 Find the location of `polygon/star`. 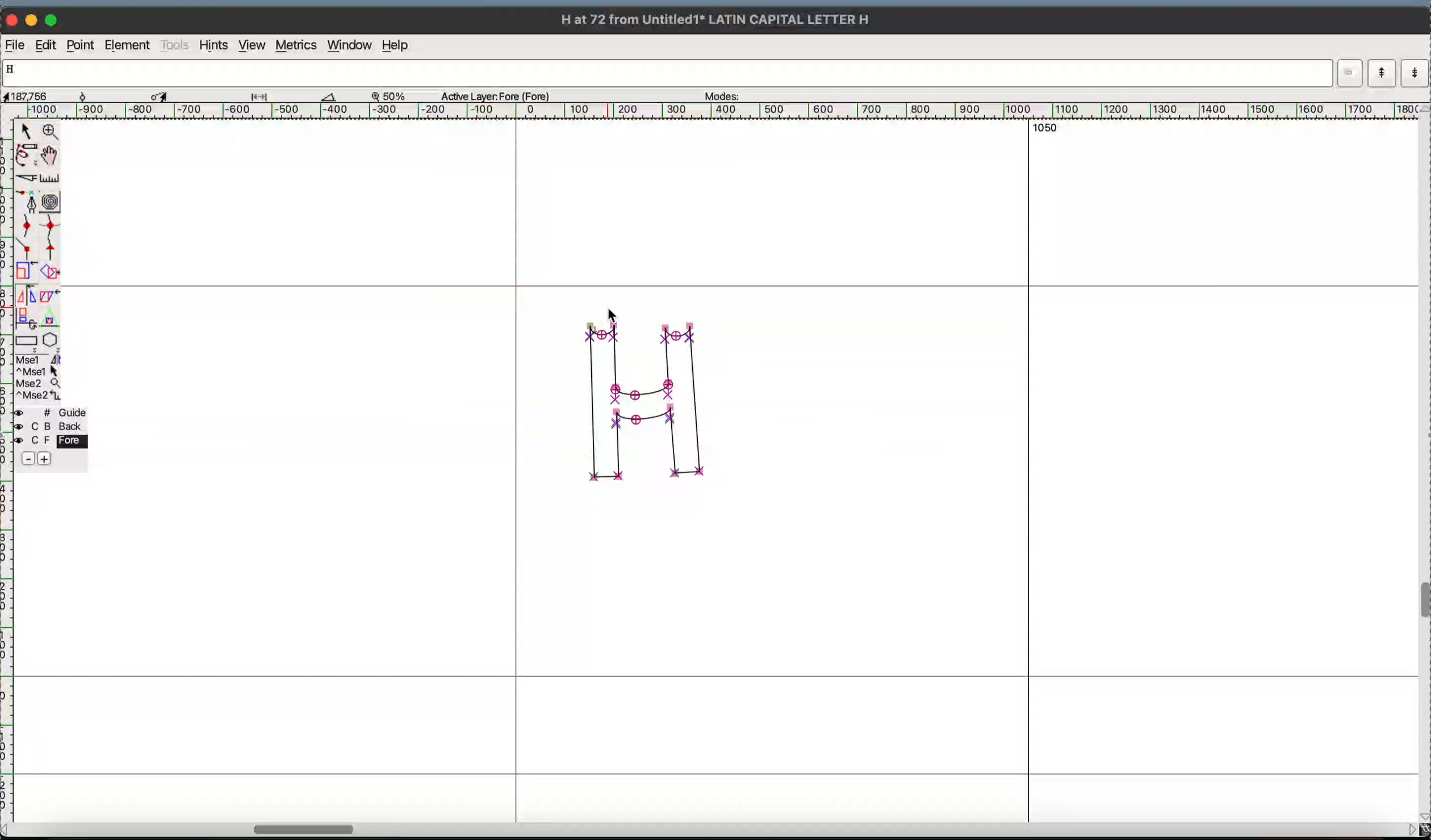

polygon/star is located at coordinates (51, 340).